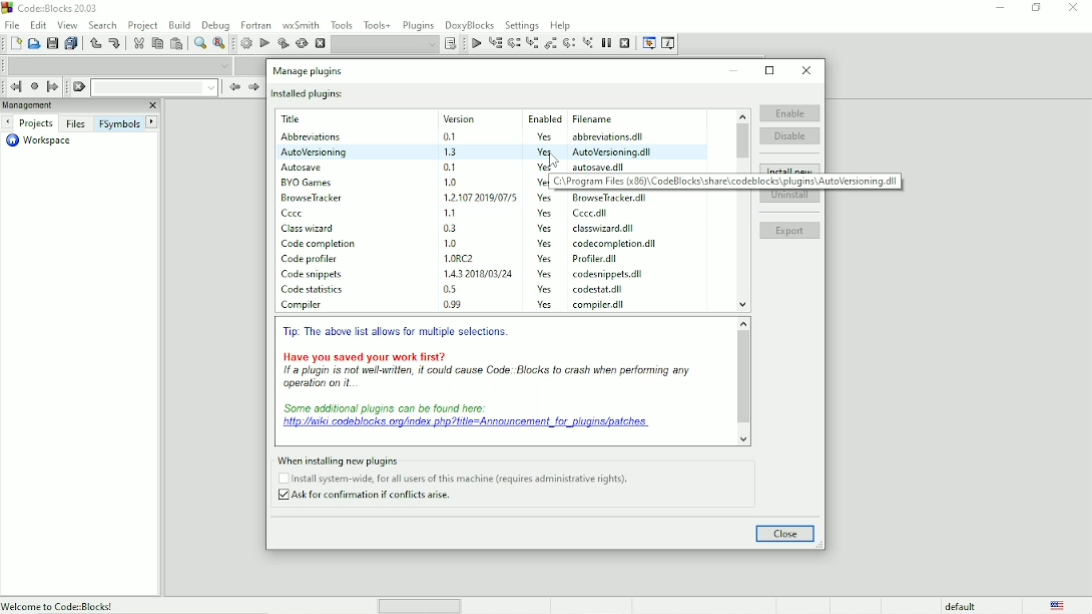 The image size is (1092, 614). What do you see at coordinates (606, 43) in the screenshot?
I see `Break debugger` at bounding box center [606, 43].